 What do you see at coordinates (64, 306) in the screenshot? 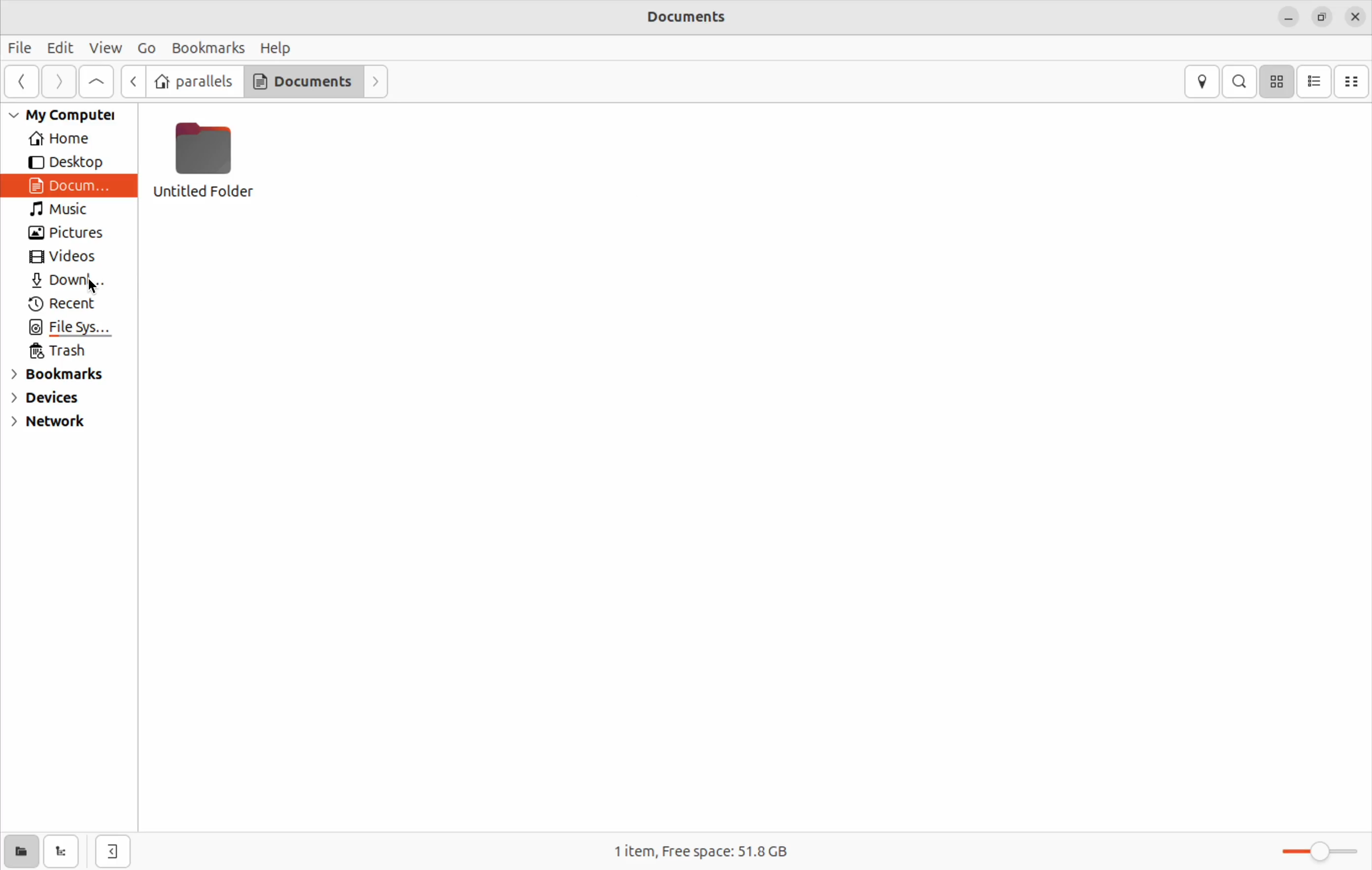
I see `recent` at bounding box center [64, 306].